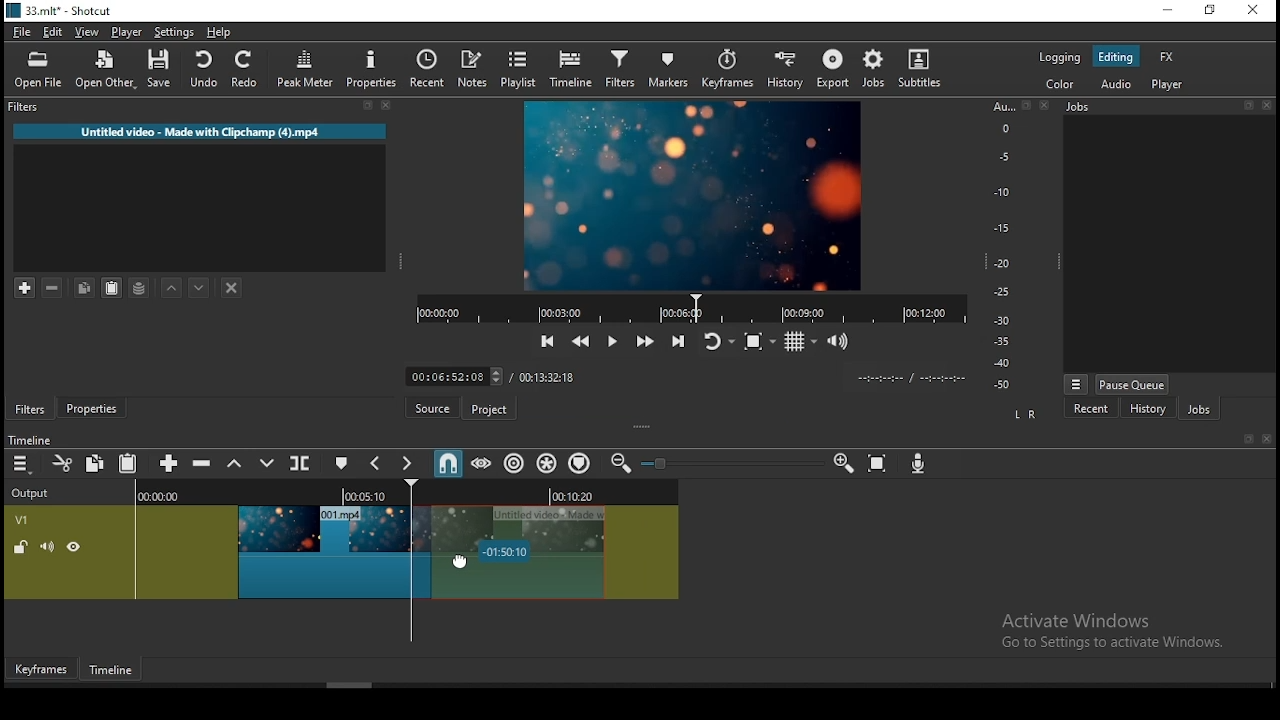 This screenshot has height=720, width=1280. I want to click on filters, so click(31, 409).